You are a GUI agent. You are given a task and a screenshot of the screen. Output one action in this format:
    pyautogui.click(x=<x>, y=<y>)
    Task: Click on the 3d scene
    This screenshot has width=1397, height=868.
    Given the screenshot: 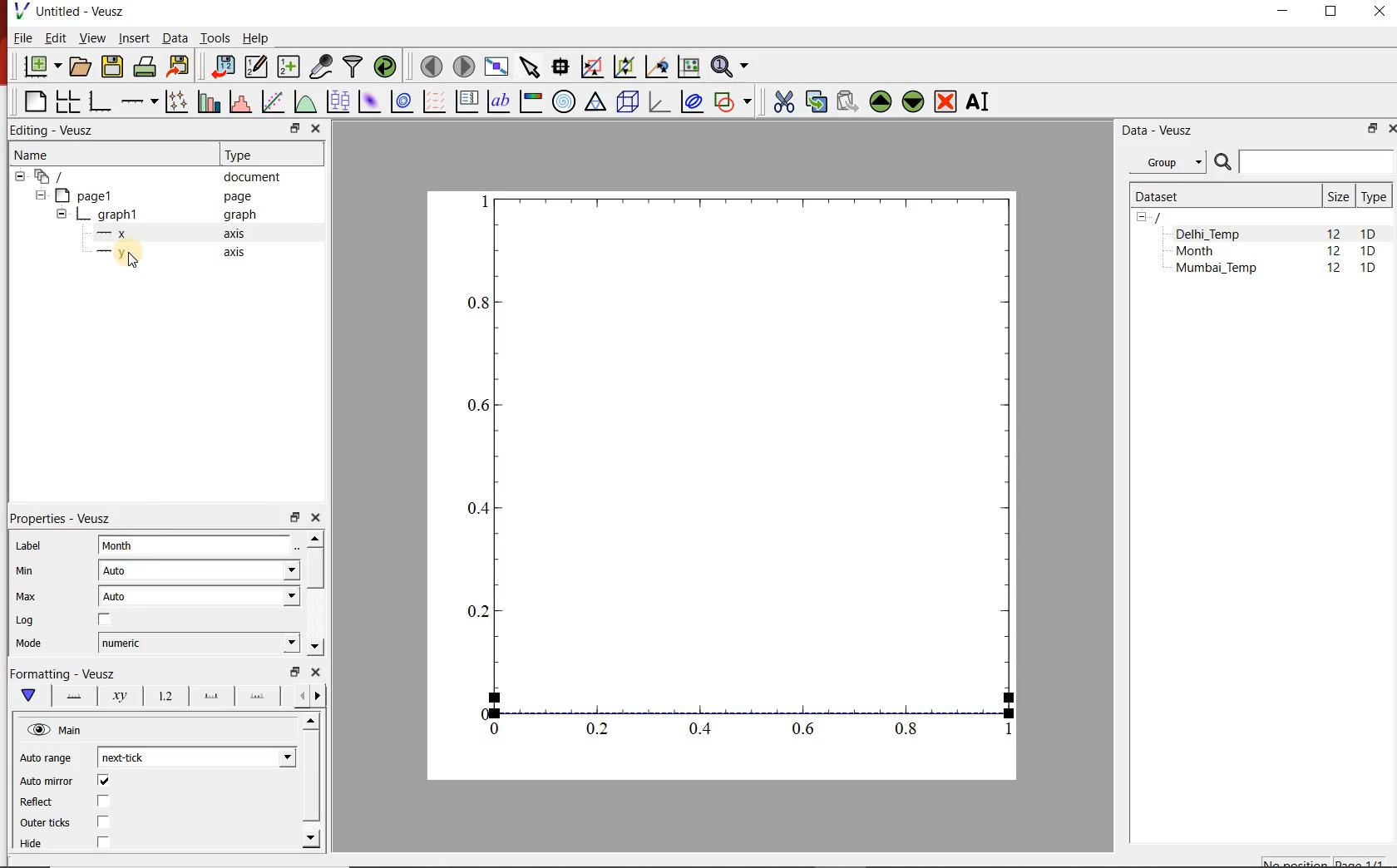 What is the action you would take?
    pyautogui.click(x=626, y=102)
    